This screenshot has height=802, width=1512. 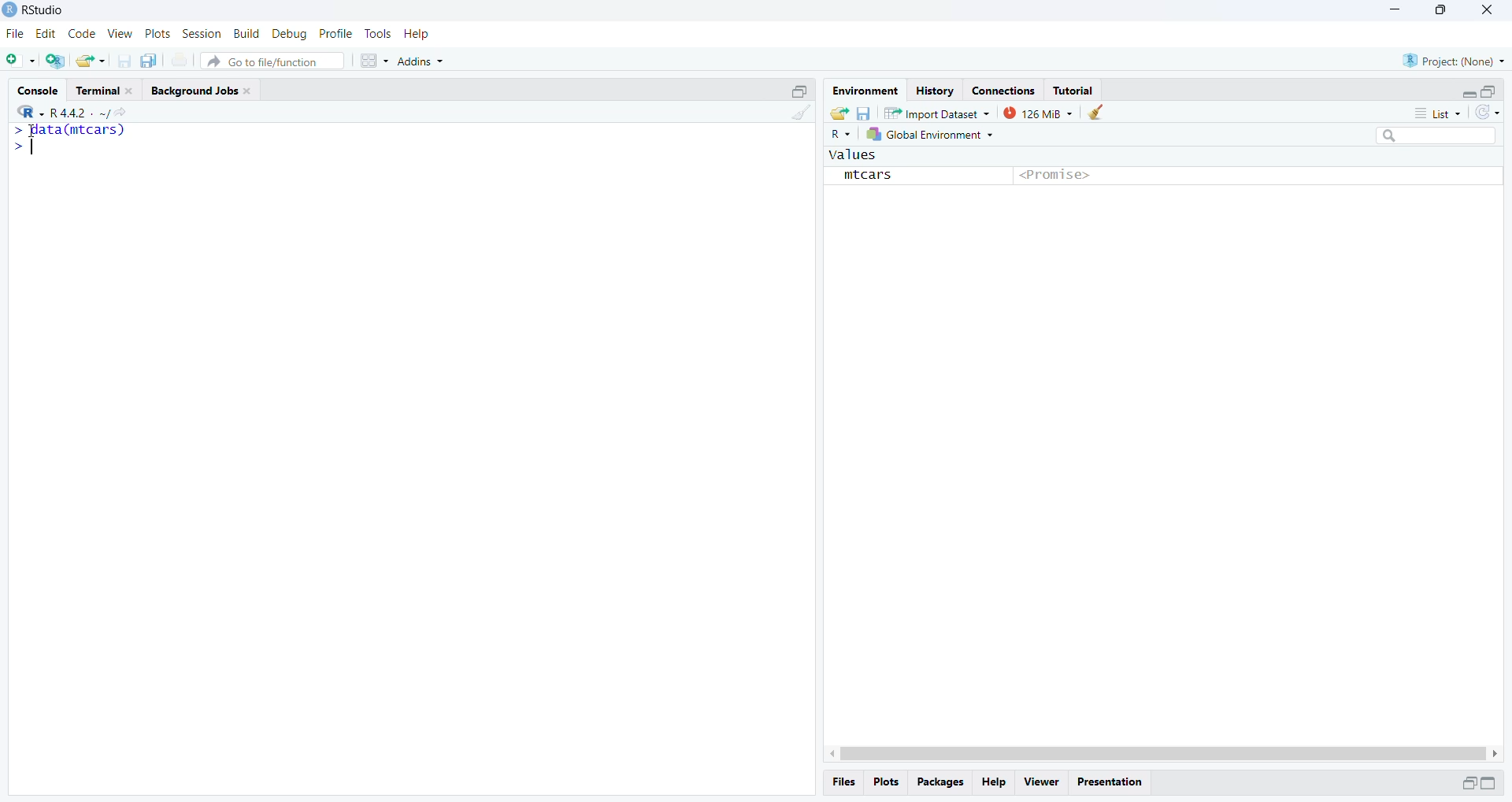 I want to click on File, so click(x=17, y=33).